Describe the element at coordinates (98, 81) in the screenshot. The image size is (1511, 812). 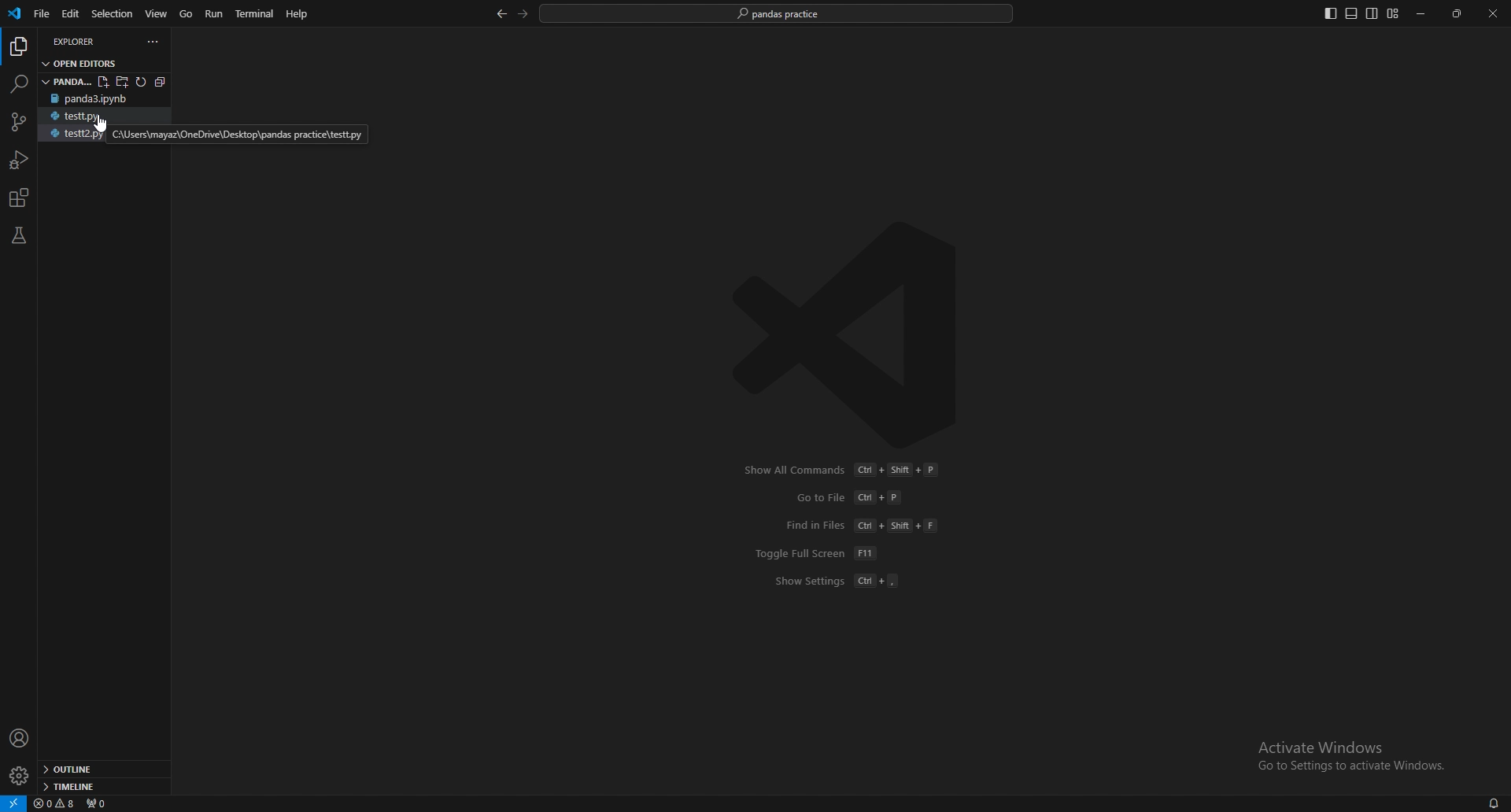
I see `pandas practice` at that location.